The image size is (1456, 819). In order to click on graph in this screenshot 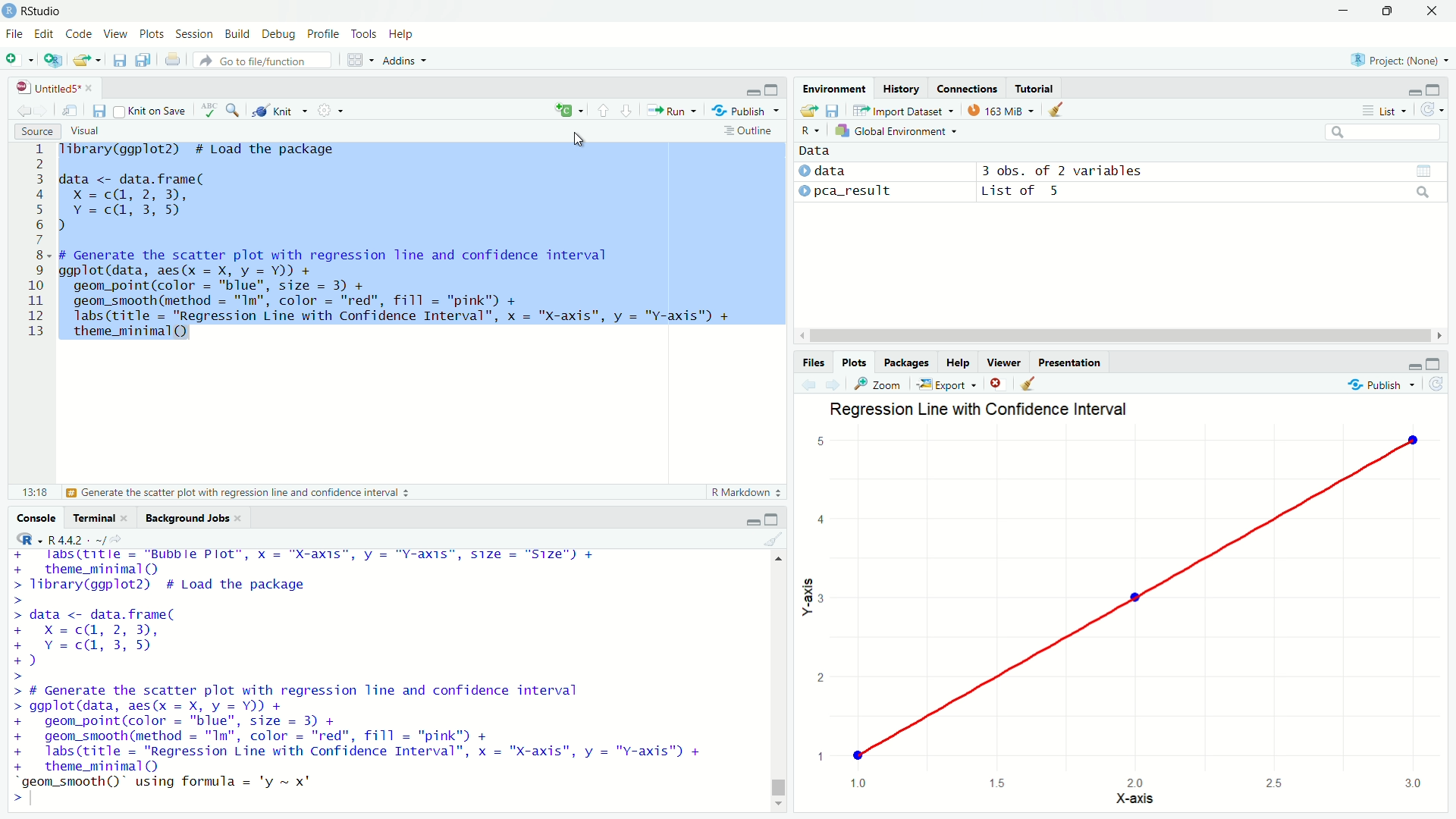, I will do `click(1126, 609)`.